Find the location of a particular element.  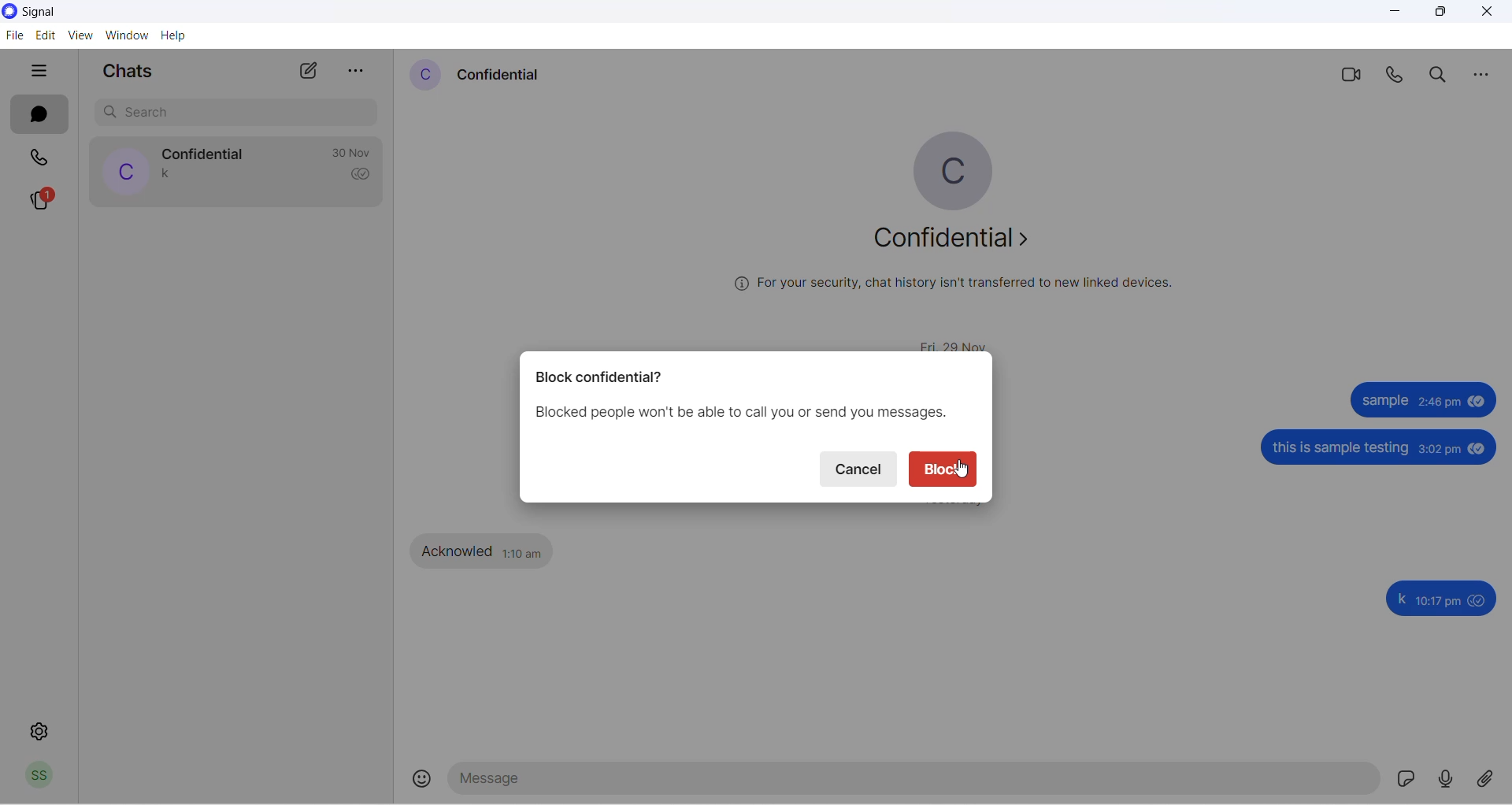

k is located at coordinates (1400, 599).